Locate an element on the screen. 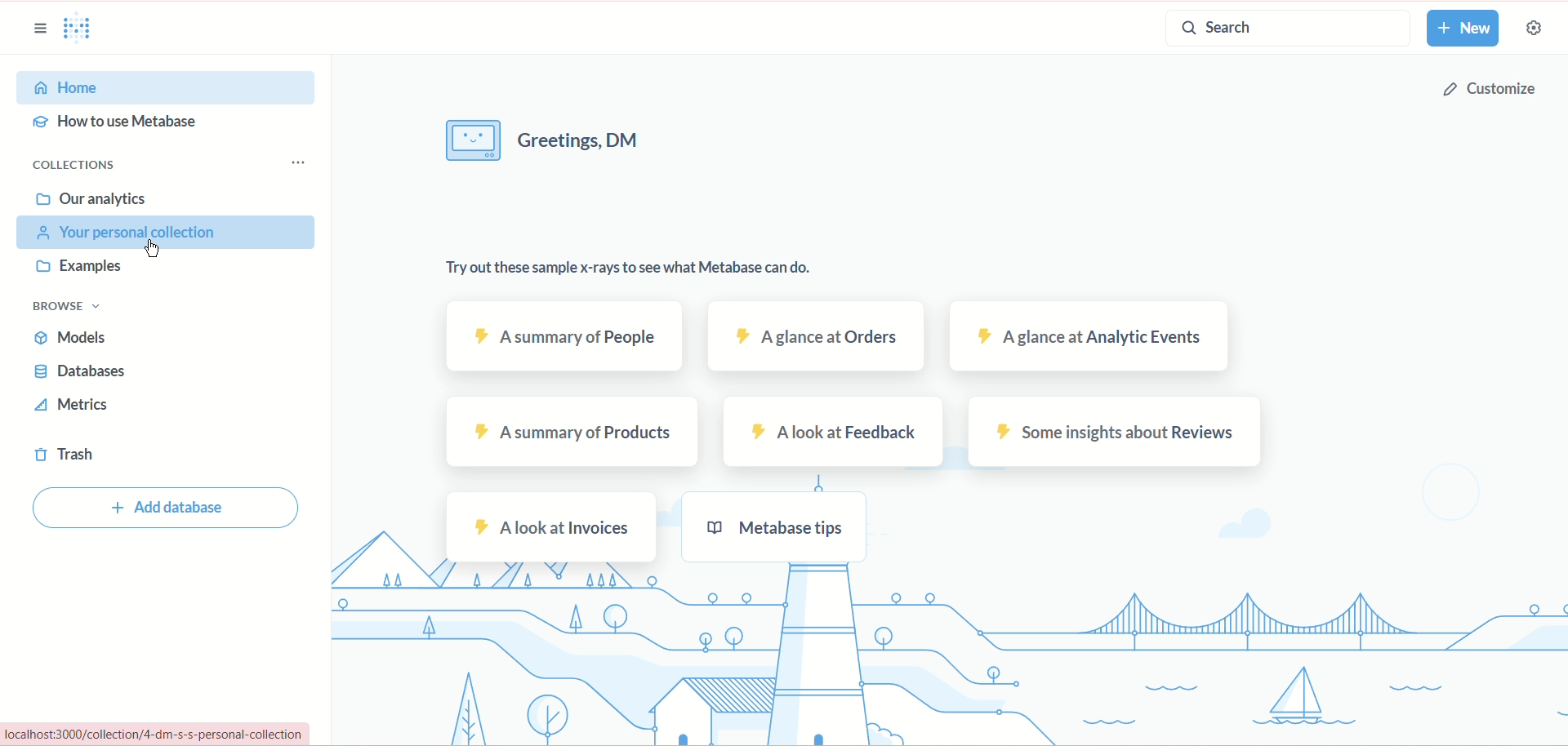  models is located at coordinates (74, 339).